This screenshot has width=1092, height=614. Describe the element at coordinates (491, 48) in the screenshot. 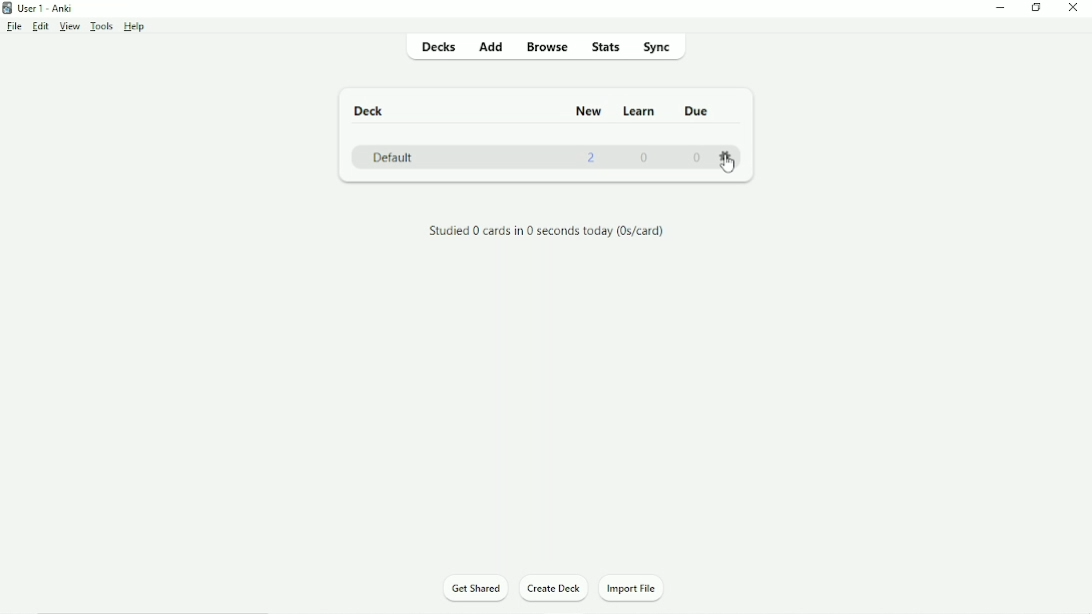

I see `Add` at that location.